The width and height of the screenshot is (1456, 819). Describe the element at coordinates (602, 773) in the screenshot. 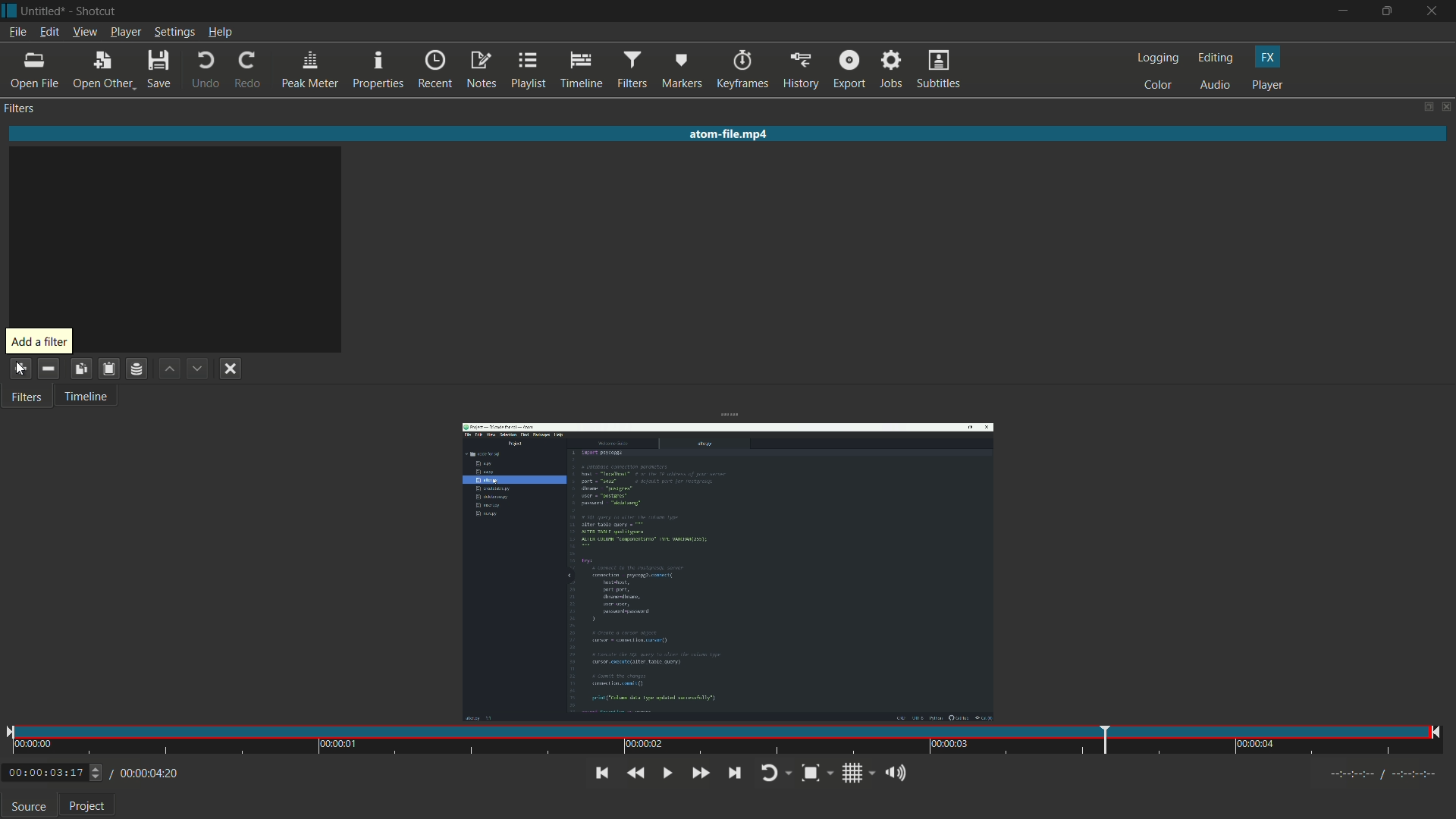

I see `skip to the previous point` at that location.